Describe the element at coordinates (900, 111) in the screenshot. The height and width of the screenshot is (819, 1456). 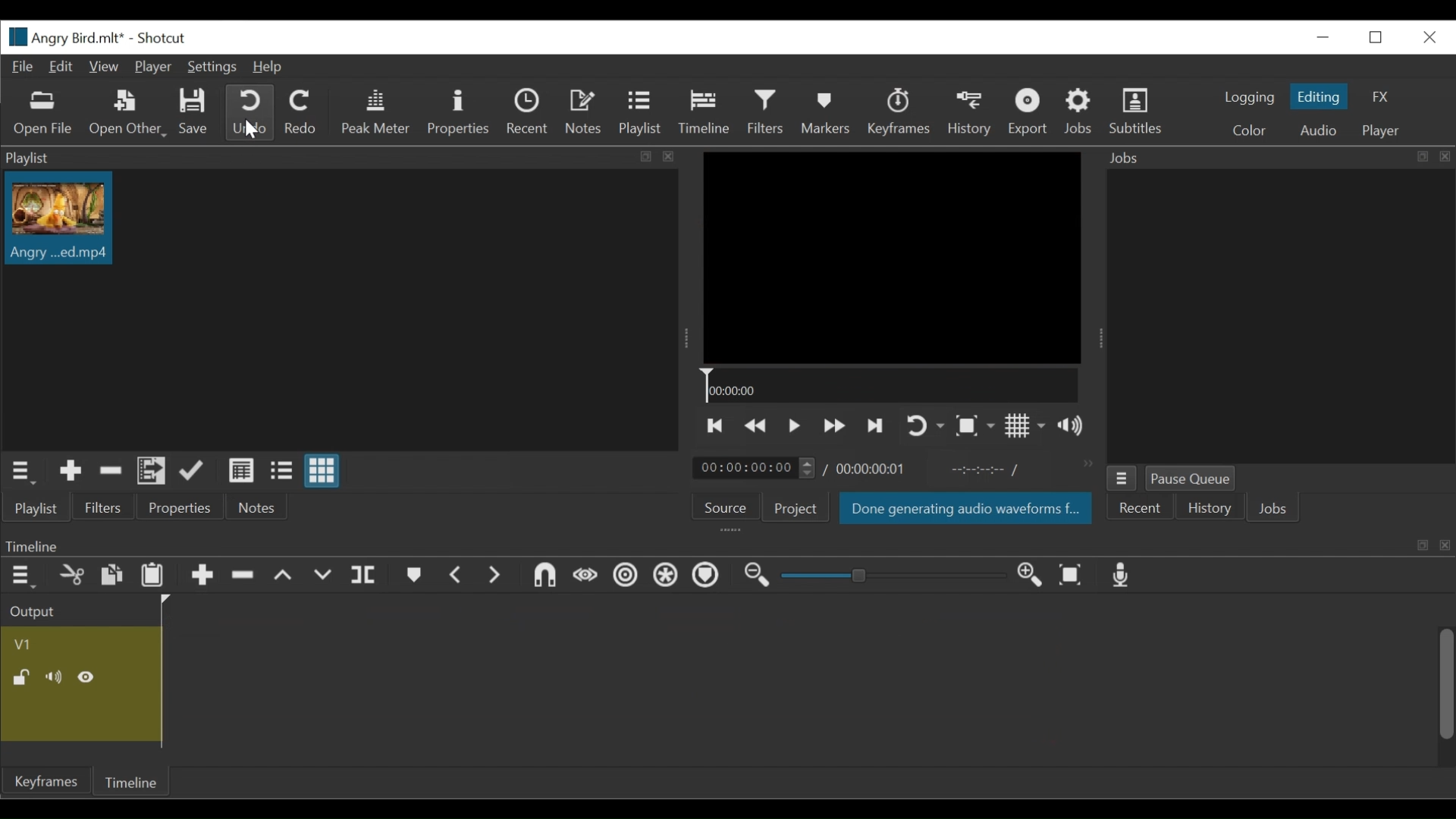
I see `Keyframes` at that location.